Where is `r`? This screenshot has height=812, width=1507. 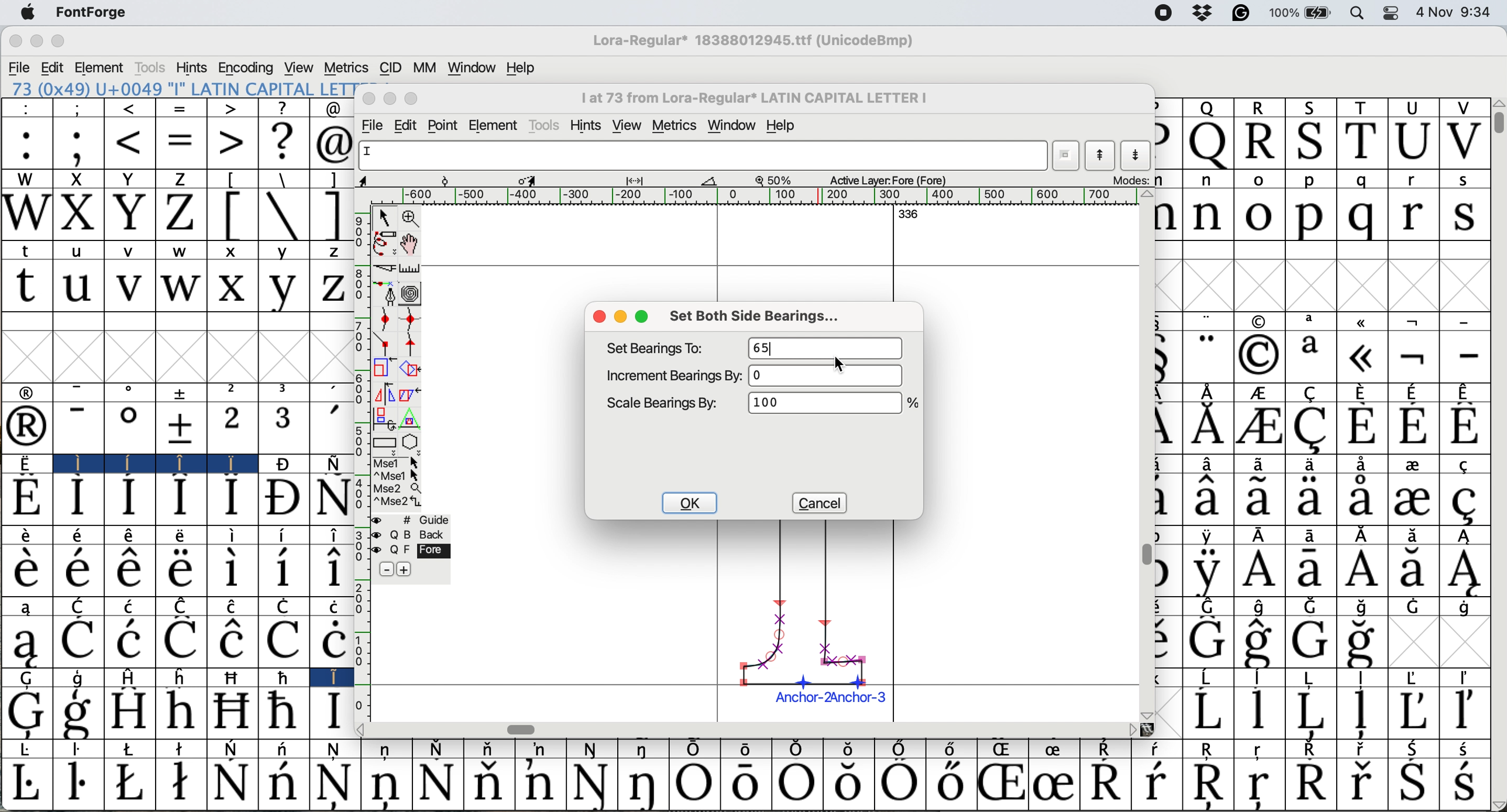 r is located at coordinates (1412, 215).